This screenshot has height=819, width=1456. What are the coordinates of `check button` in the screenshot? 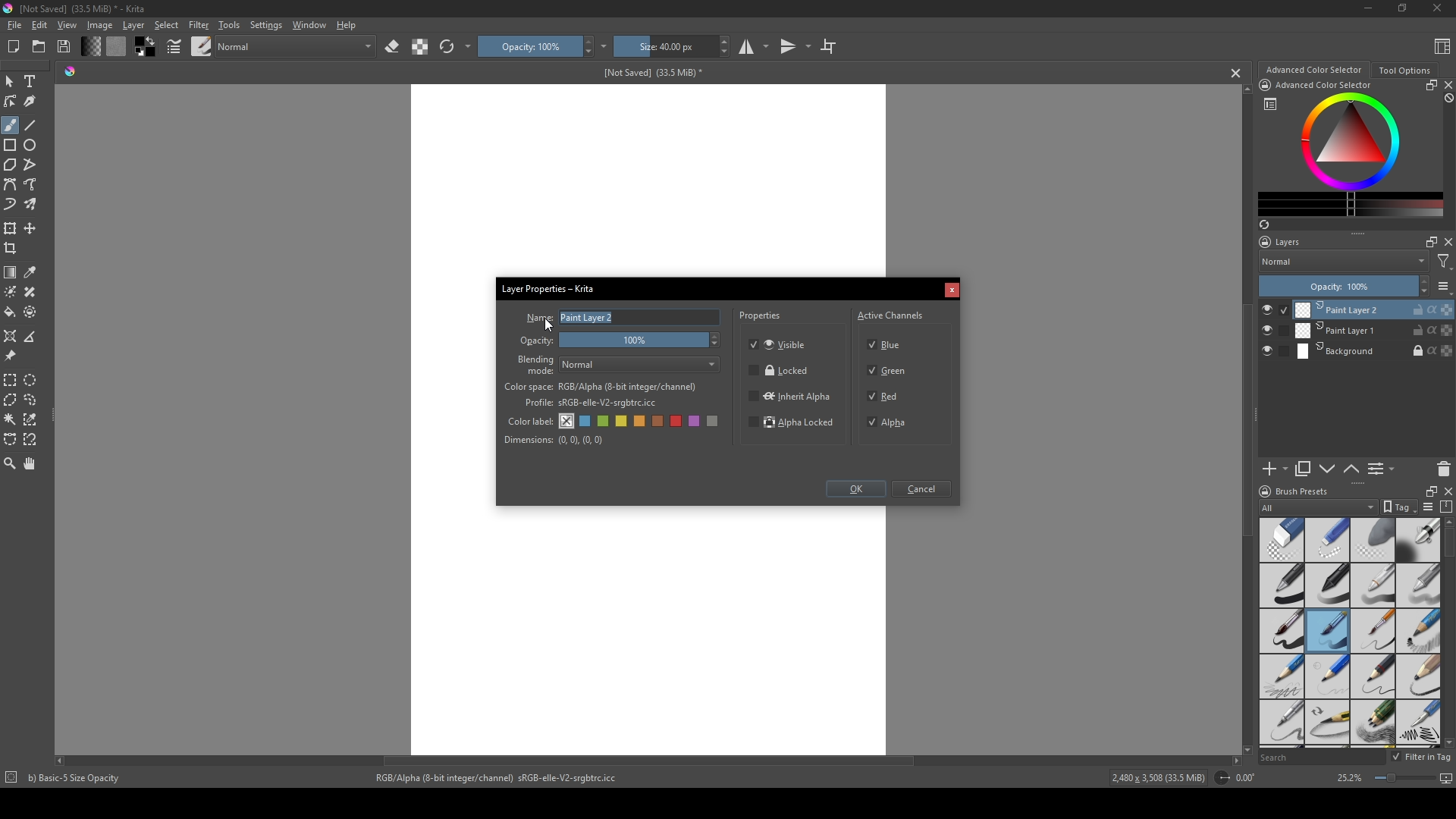 It's located at (1274, 309).